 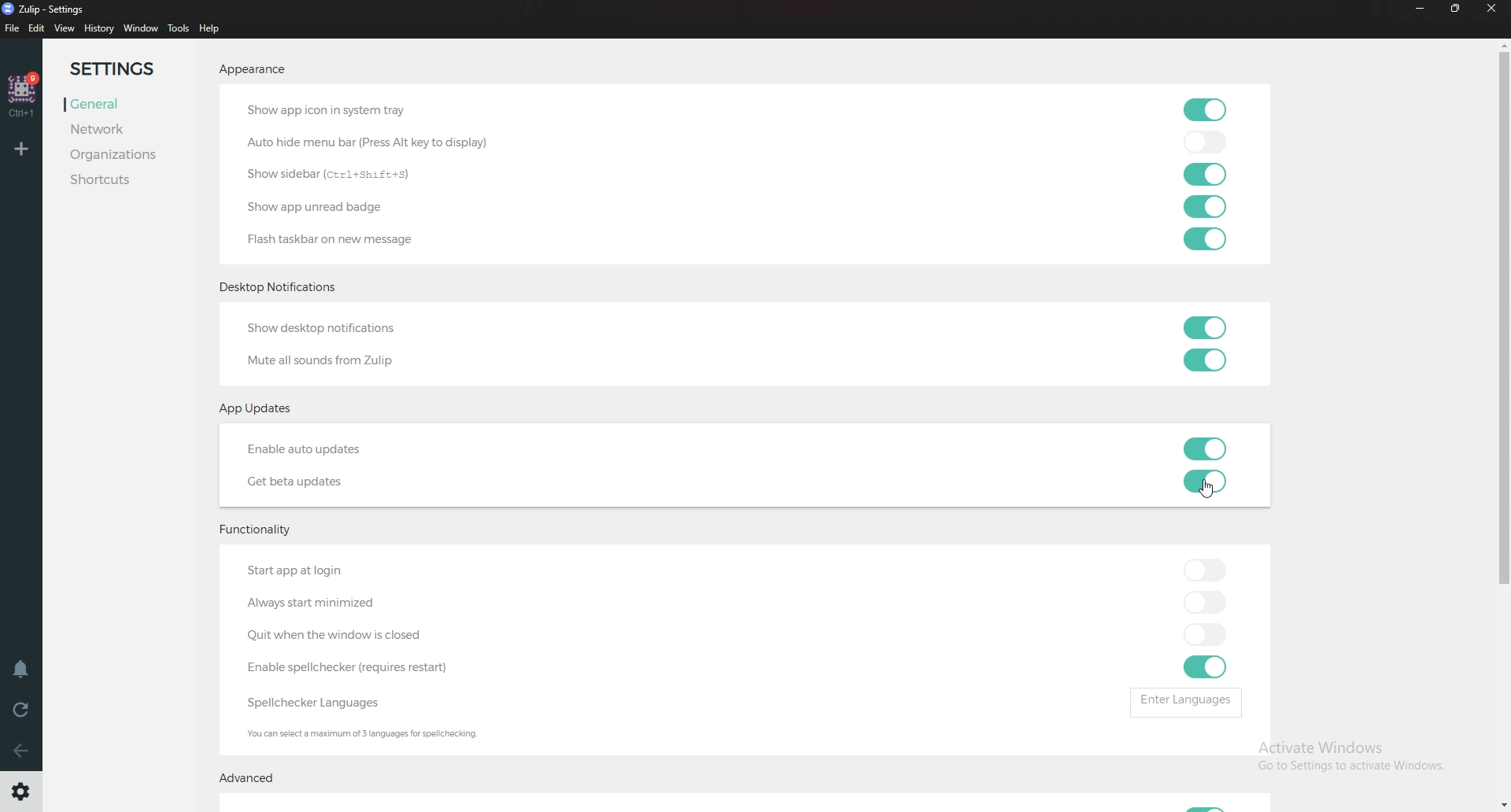 I want to click on desktop notifications, so click(x=289, y=286).